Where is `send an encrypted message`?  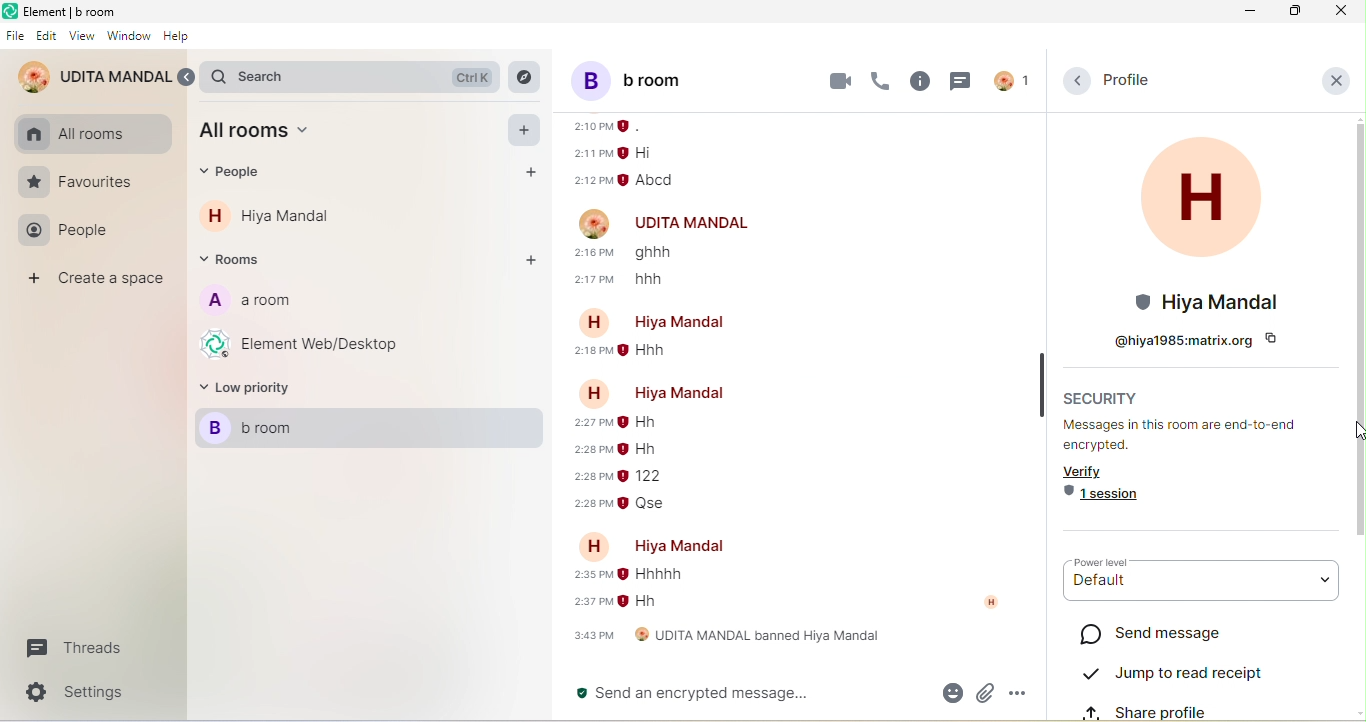 send an encrypted message is located at coordinates (744, 694).